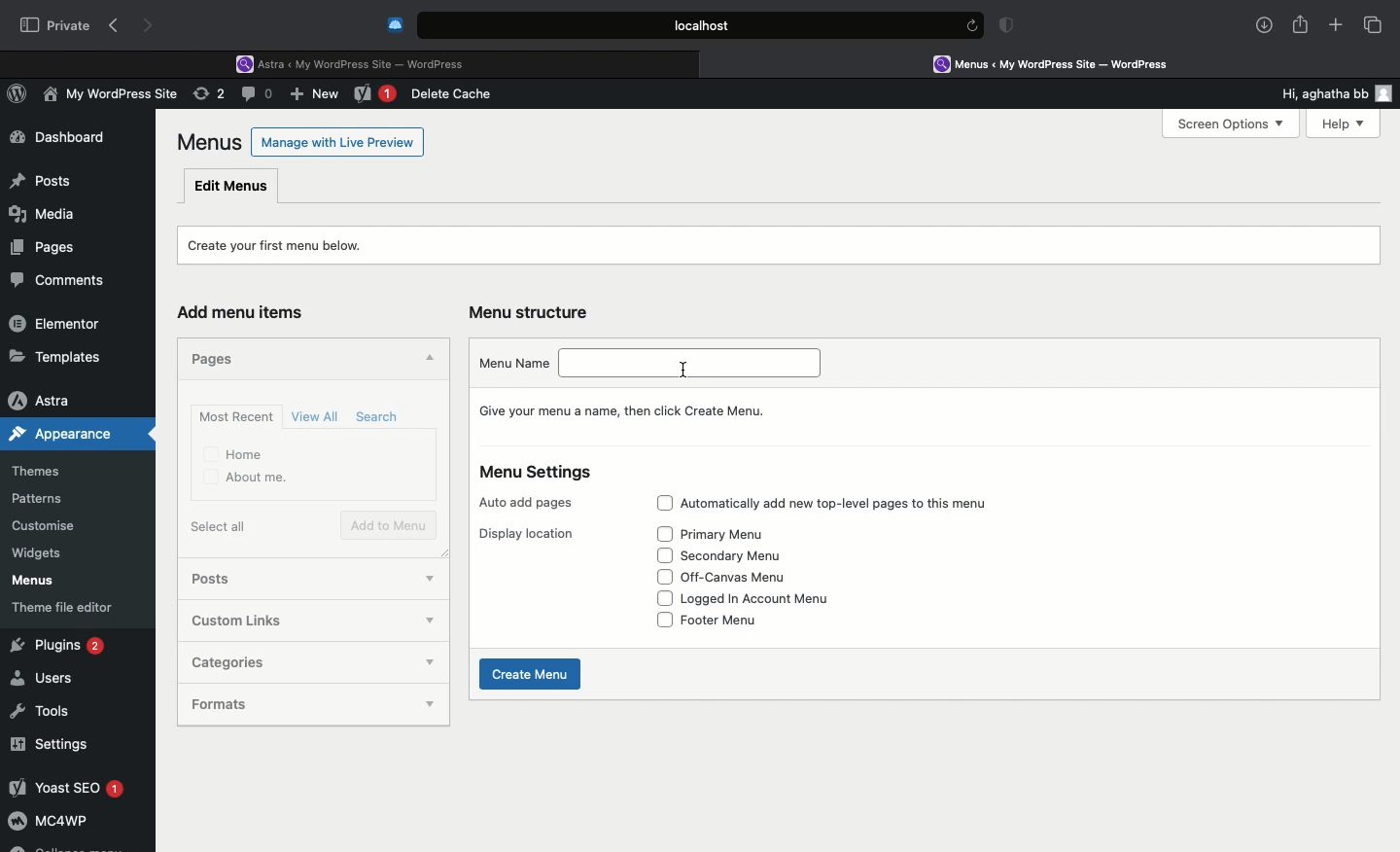 The width and height of the screenshot is (1400, 852). What do you see at coordinates (218, 357) in the screenshot?
I see `Pages` at bounding box center [218, 357].